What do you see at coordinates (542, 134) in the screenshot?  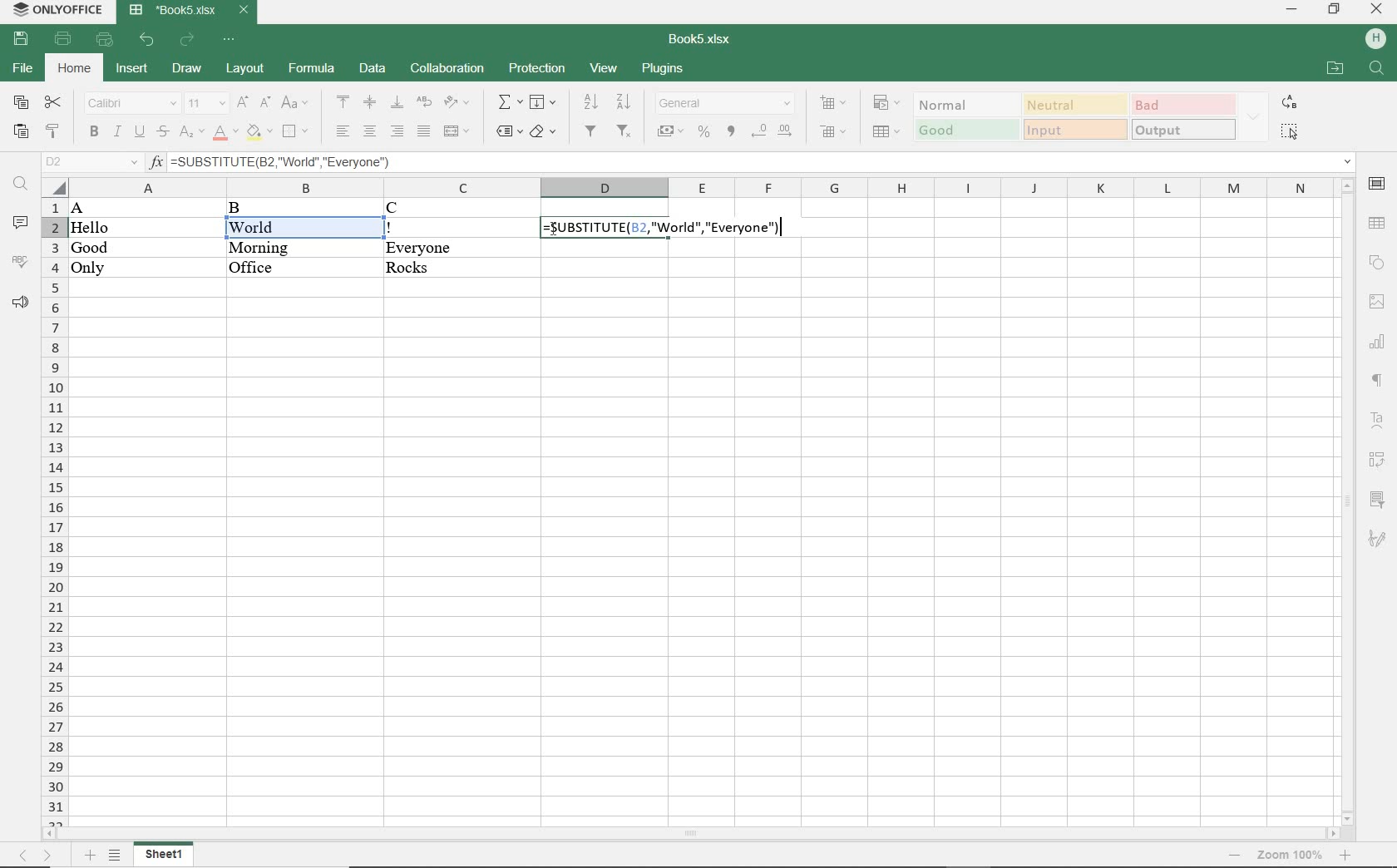 I see `shading` at bounding box center [542, 134].